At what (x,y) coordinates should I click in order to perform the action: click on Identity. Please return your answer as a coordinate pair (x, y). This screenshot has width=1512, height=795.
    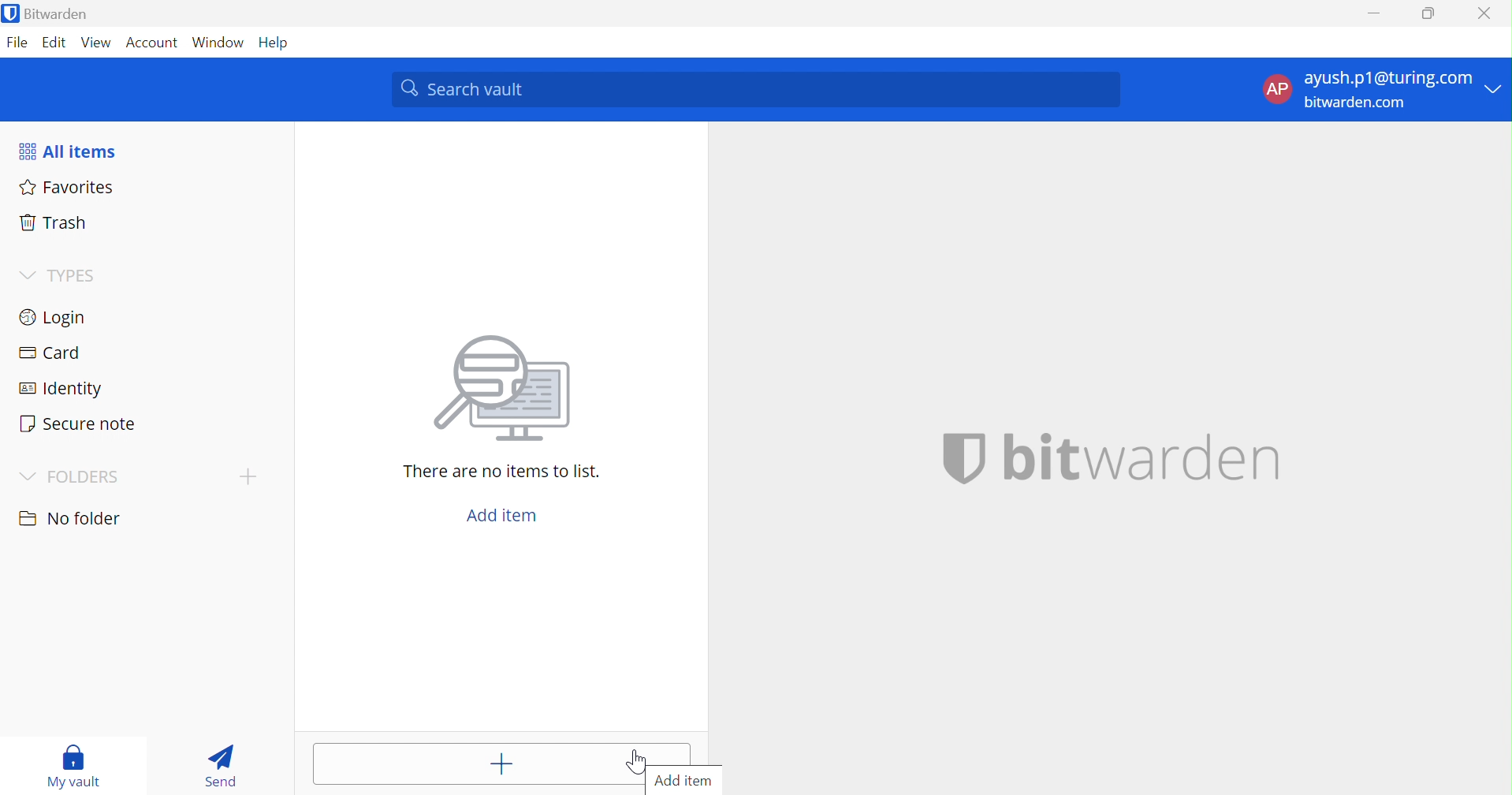
    Looking at the image, I should click on (62, 390).